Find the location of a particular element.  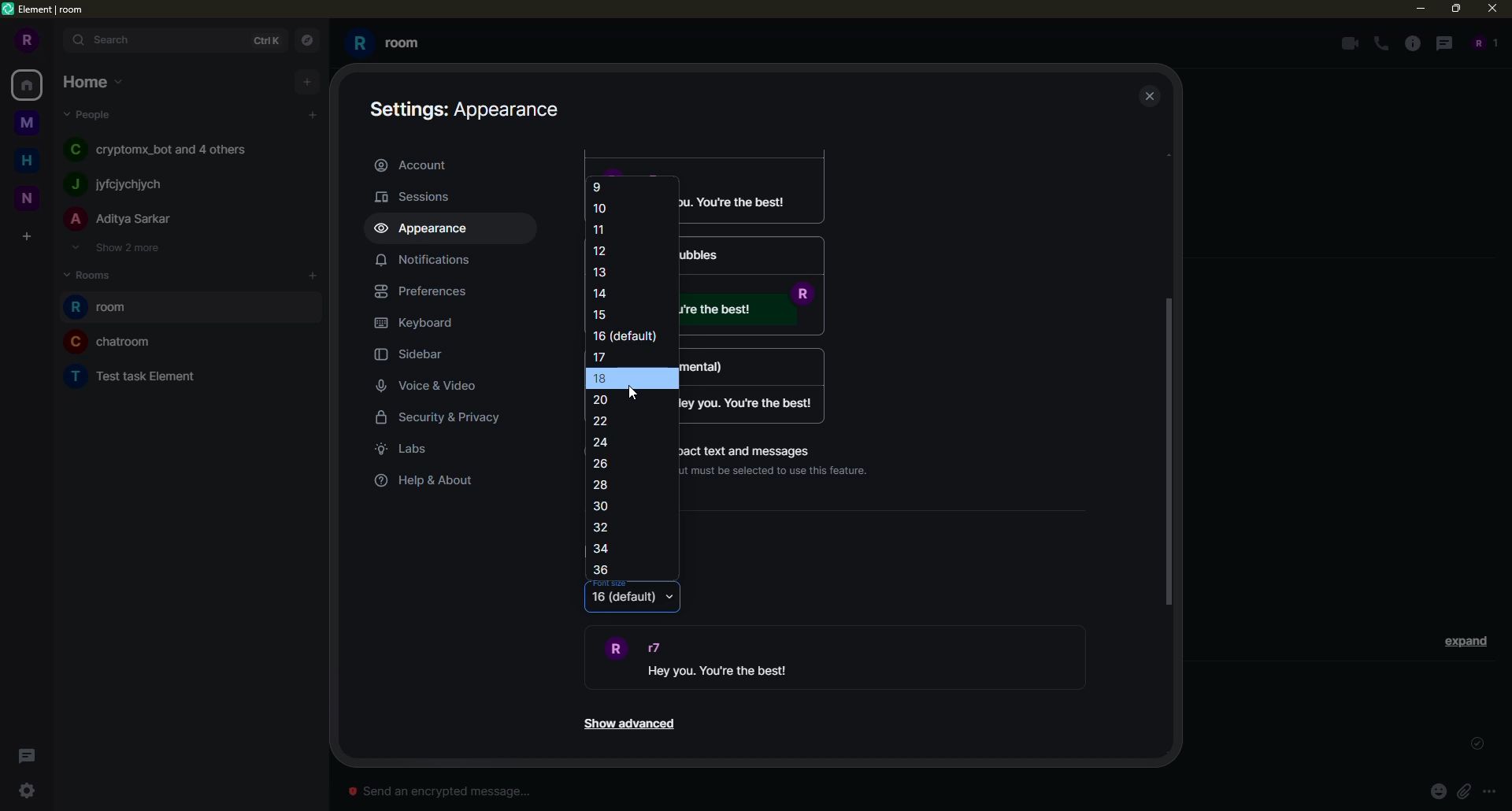

16 is located at coordinates (624, 601).